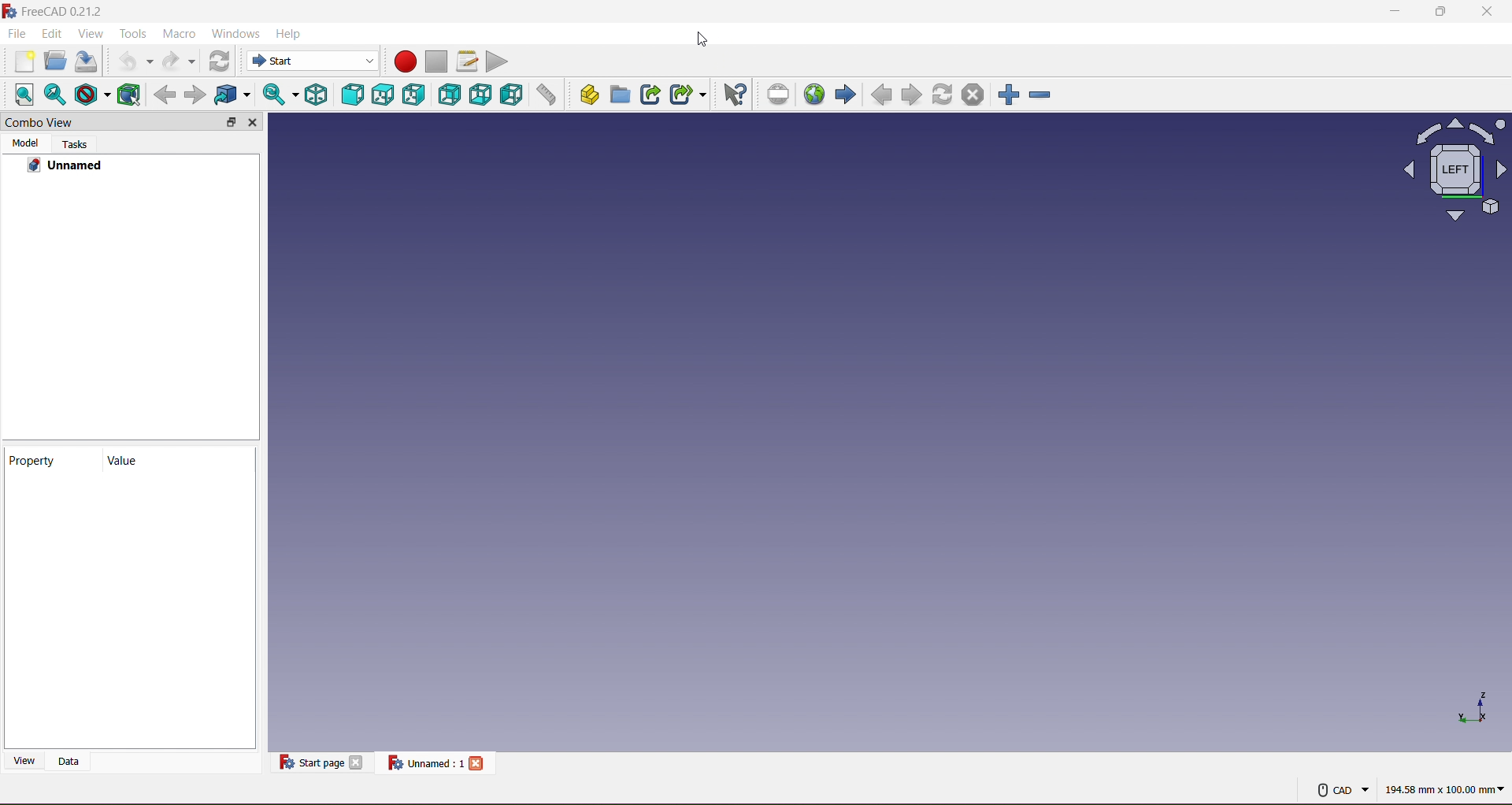  What do you see at coordinates (1442, 10) in the screenshot?
I see `Maximize` at bounding box center [1442, 10].